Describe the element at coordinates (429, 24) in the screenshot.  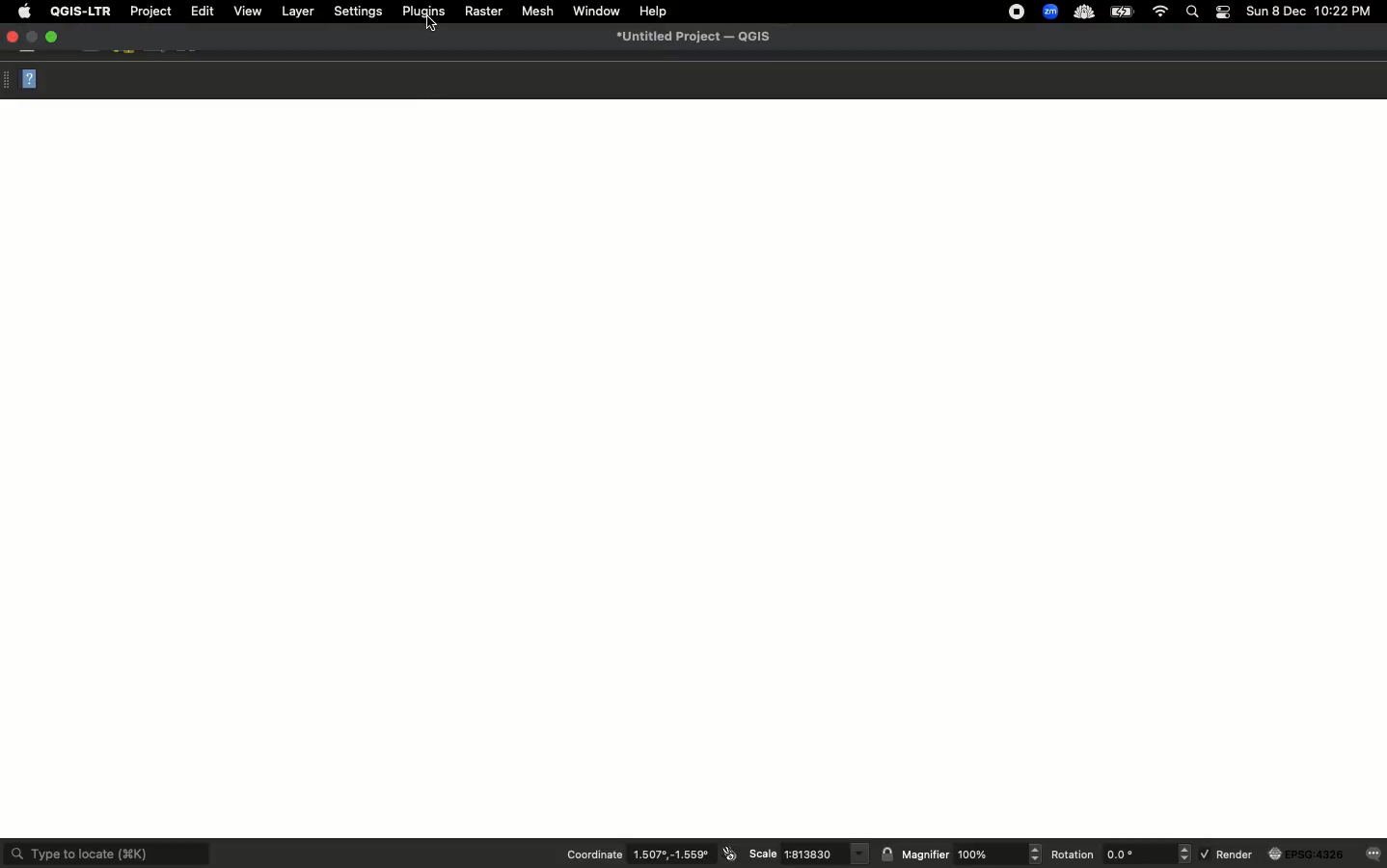
I see `curosr` at that location.